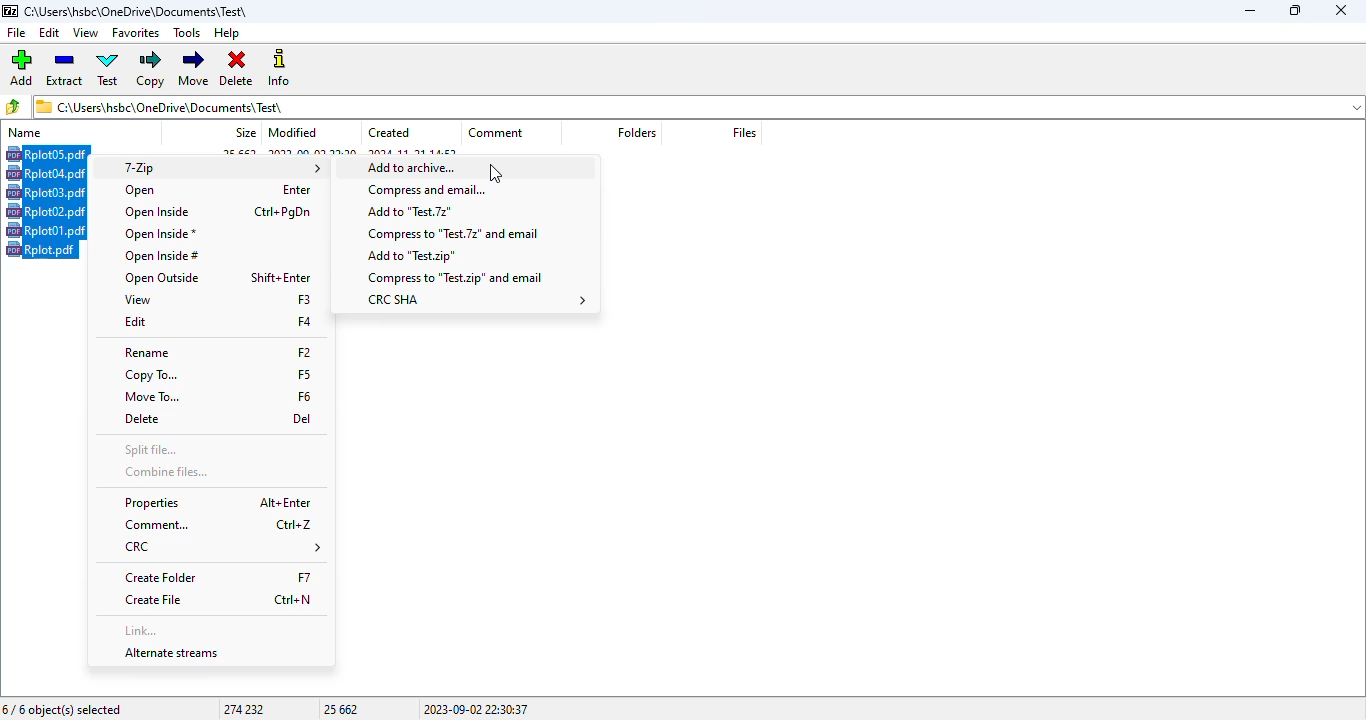 This screenshot has width=1366, height=720. Describe the element at coordinates (1249, 11) in the screenshot. I see `minimize` at that location.